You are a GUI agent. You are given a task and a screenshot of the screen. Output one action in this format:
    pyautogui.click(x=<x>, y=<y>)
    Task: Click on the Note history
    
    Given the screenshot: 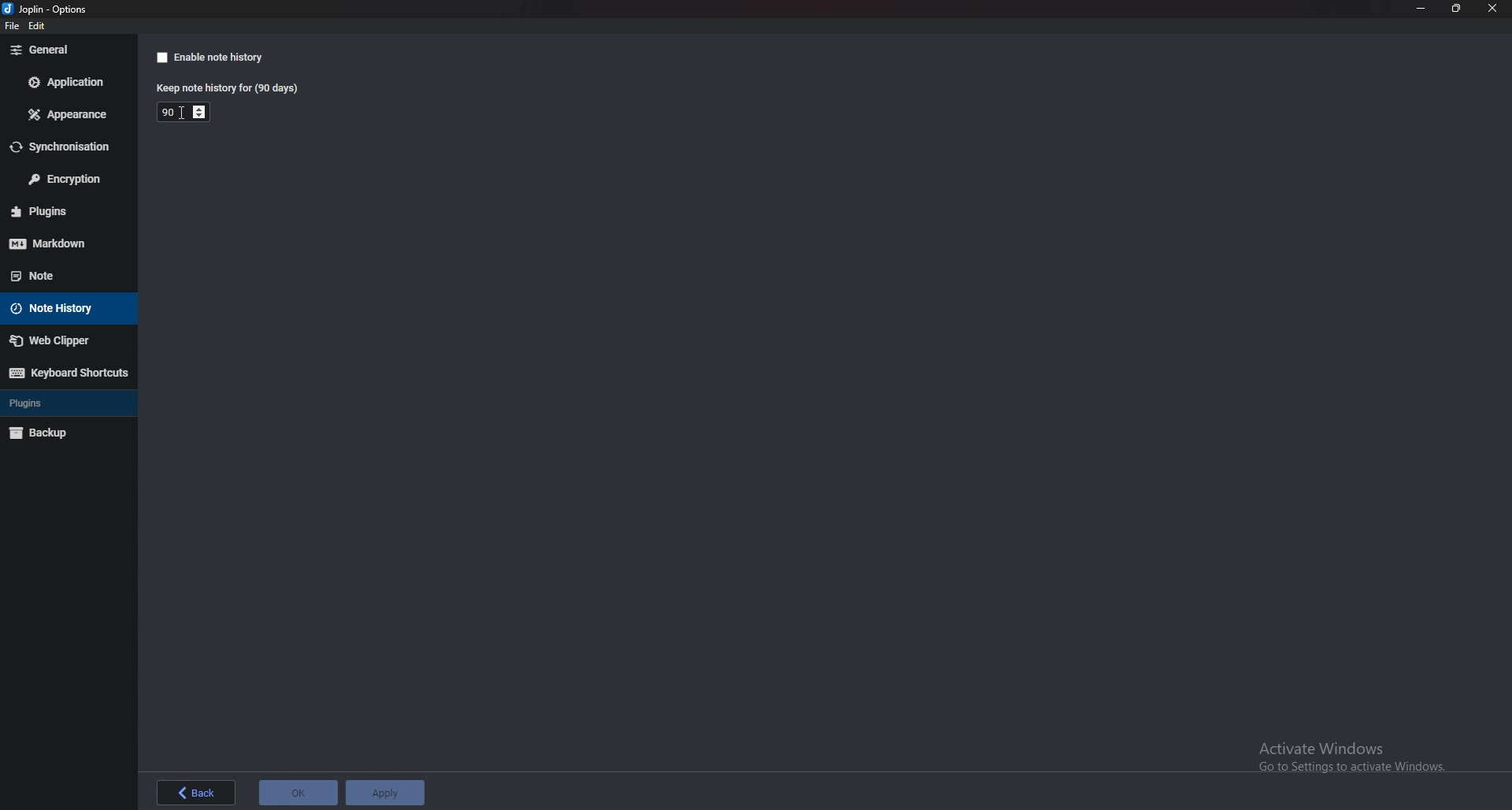 What is the action you would take?
    pyautogui.click(x=61, y=309)
    